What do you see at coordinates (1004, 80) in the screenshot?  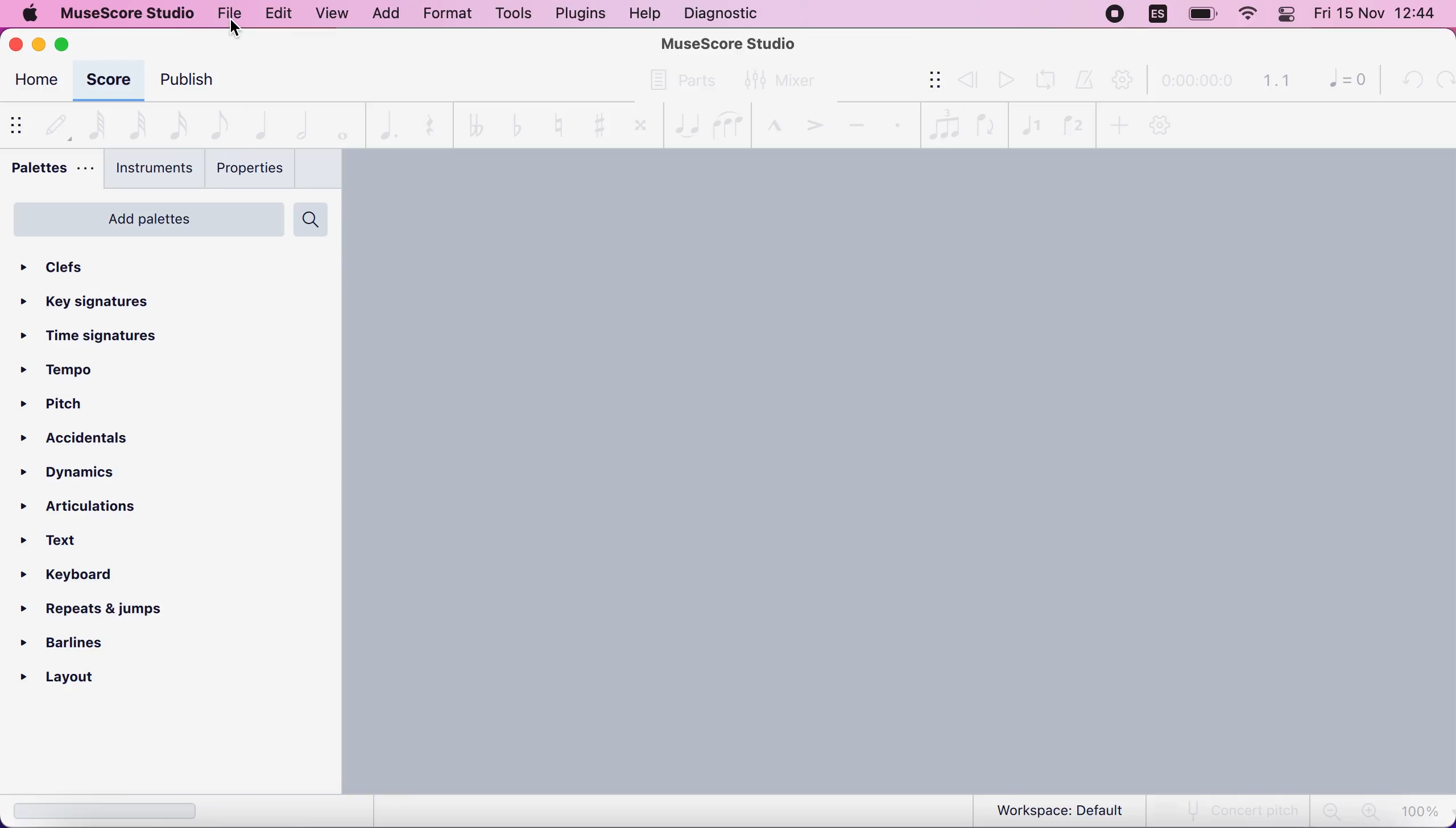 I see `play` at bounding box center [1004, 80].